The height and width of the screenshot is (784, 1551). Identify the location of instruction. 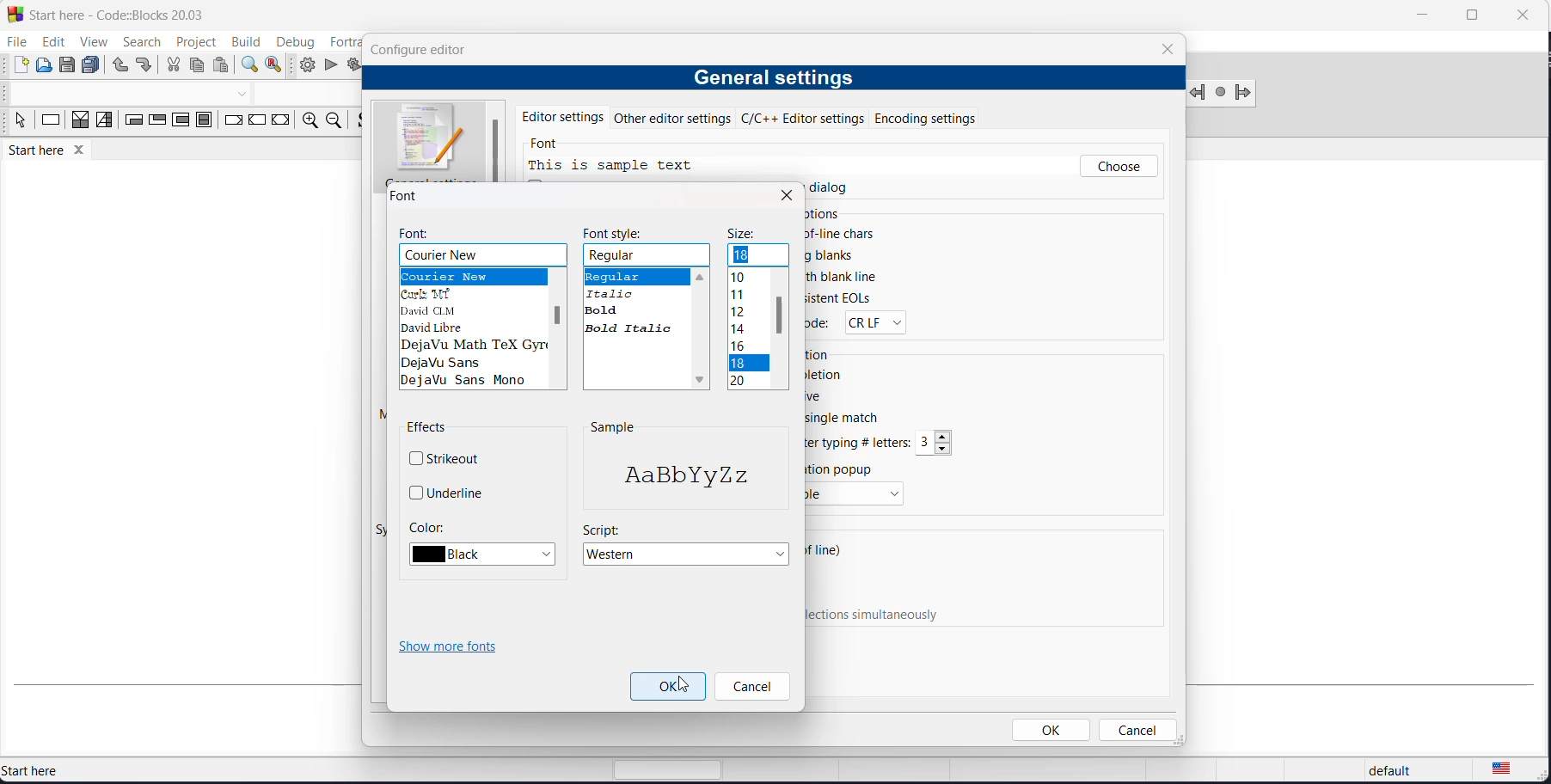
(51, 123).